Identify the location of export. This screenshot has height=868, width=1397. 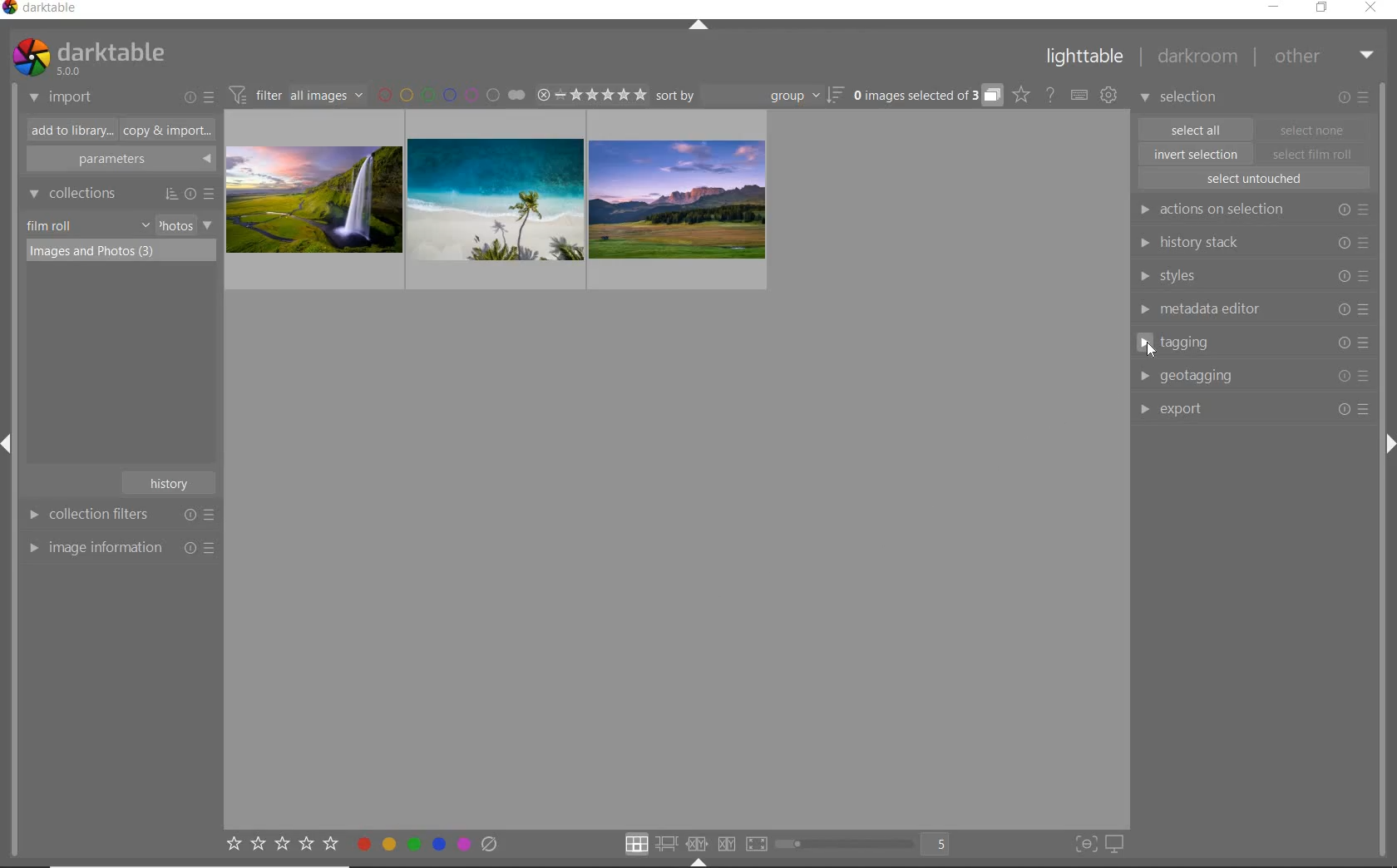
(1254, 408).